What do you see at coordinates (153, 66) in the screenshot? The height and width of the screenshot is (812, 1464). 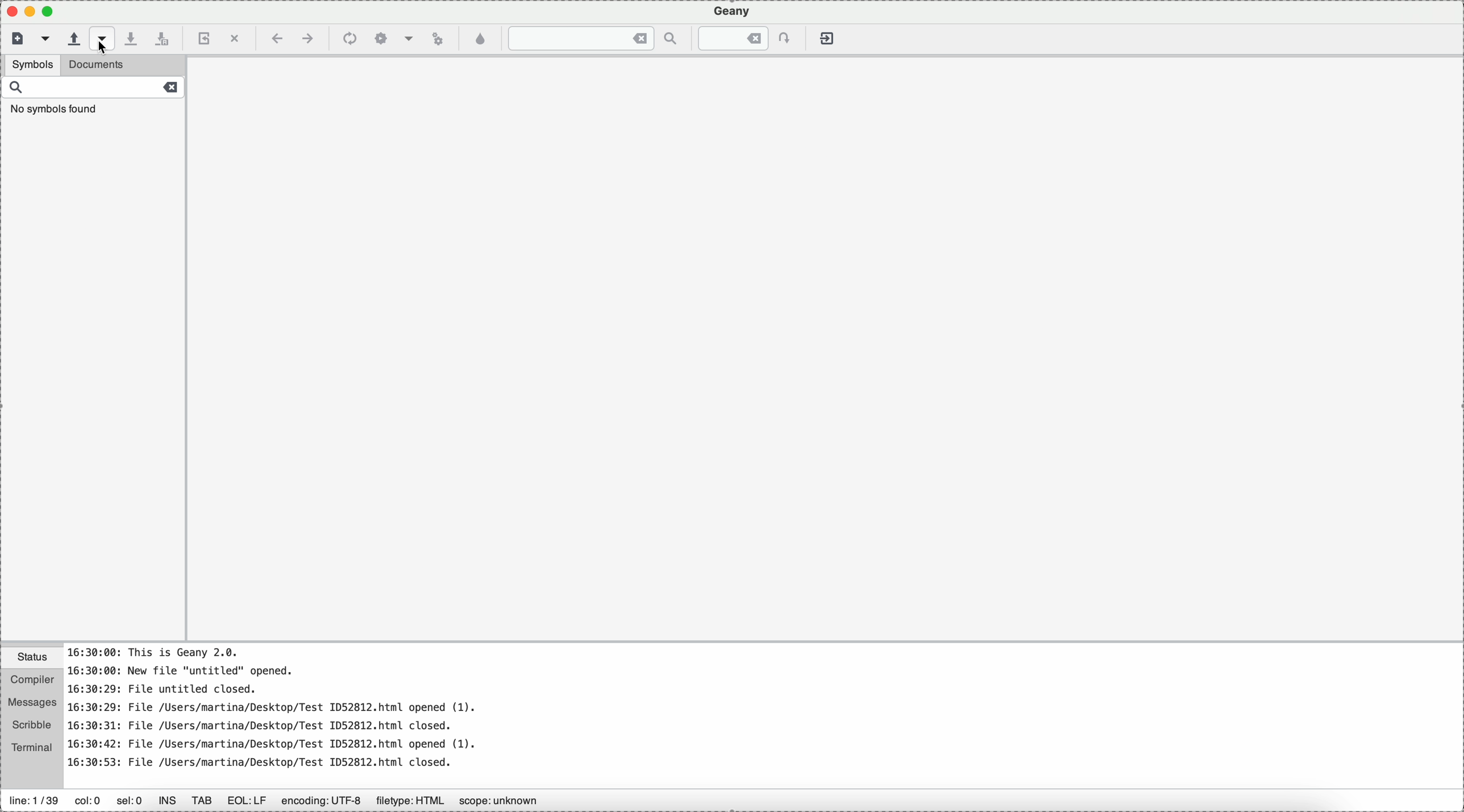 I see `documents` at bounding box center [153, 66].